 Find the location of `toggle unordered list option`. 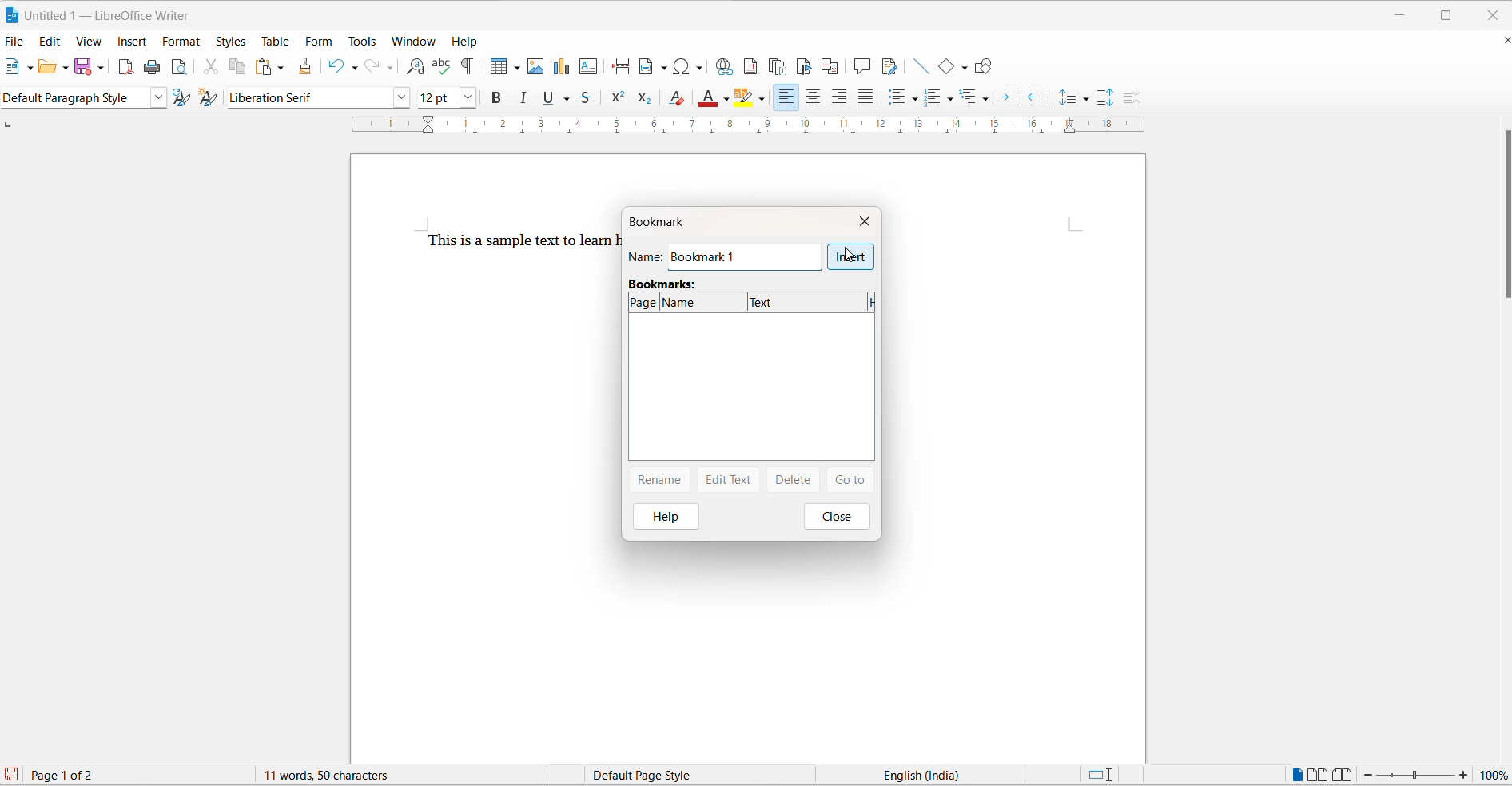

toggle unordered list option is located at coordinates (906, 97).